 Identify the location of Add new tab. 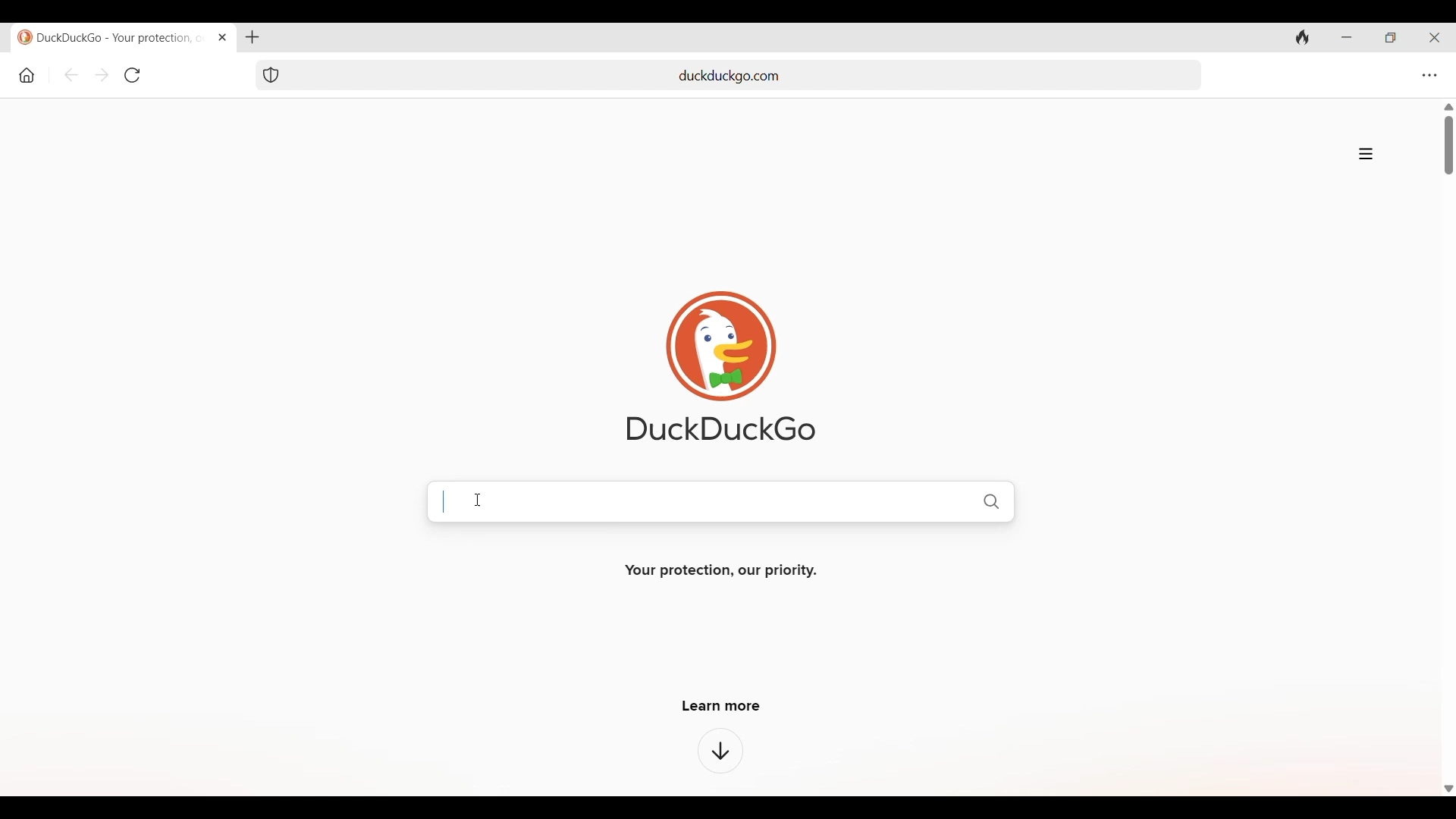
(253, 37).